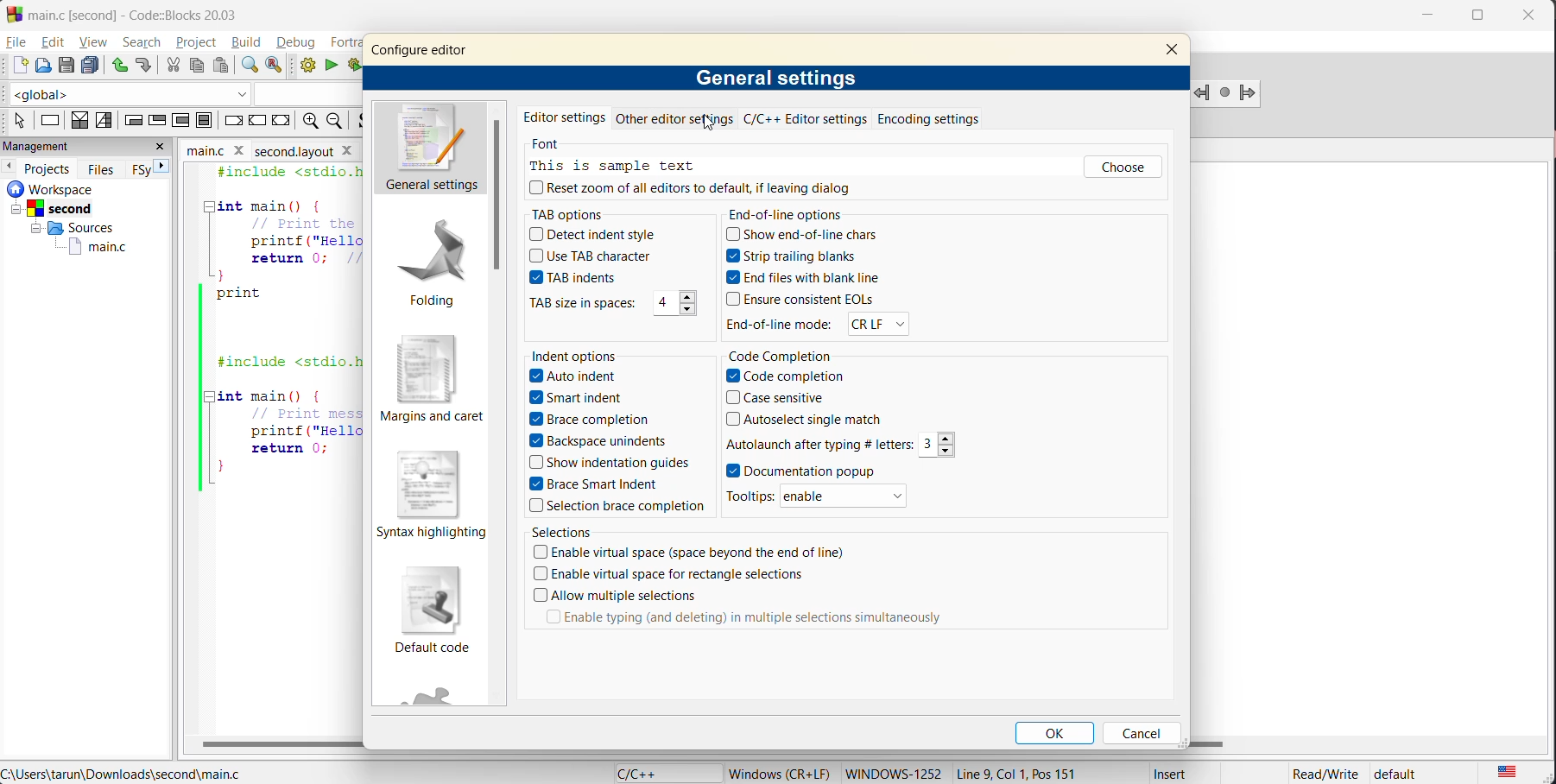  I want to click on Enable virtual space (space beyond the end of line), so click(684, 552).